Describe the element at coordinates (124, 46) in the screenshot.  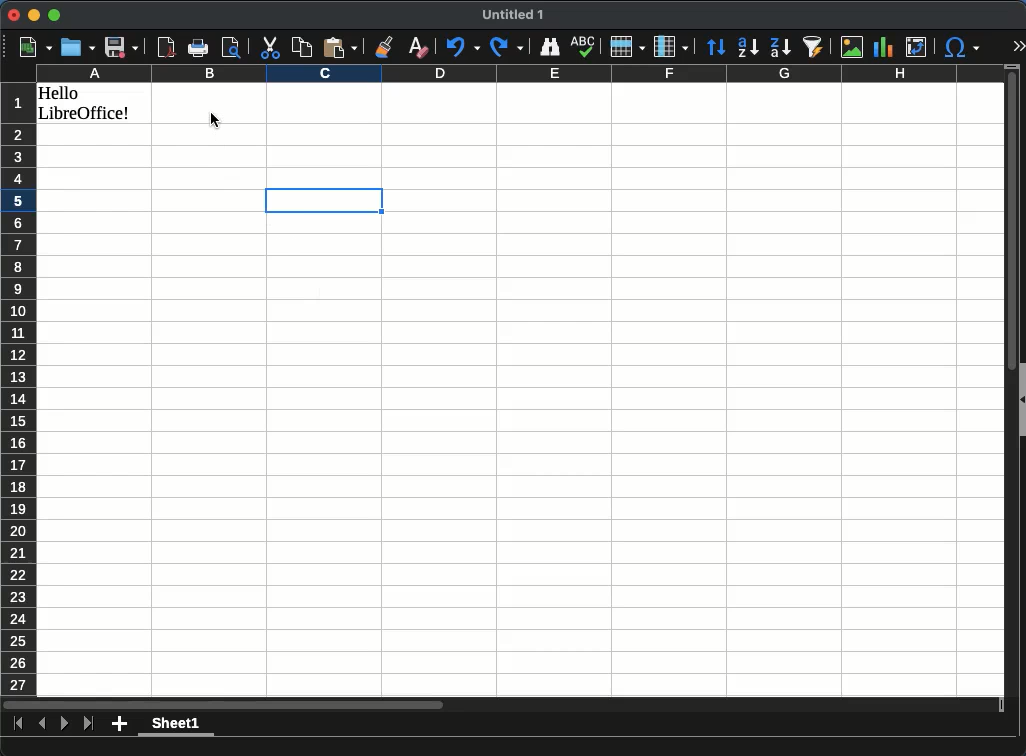
I see `save` at that location.